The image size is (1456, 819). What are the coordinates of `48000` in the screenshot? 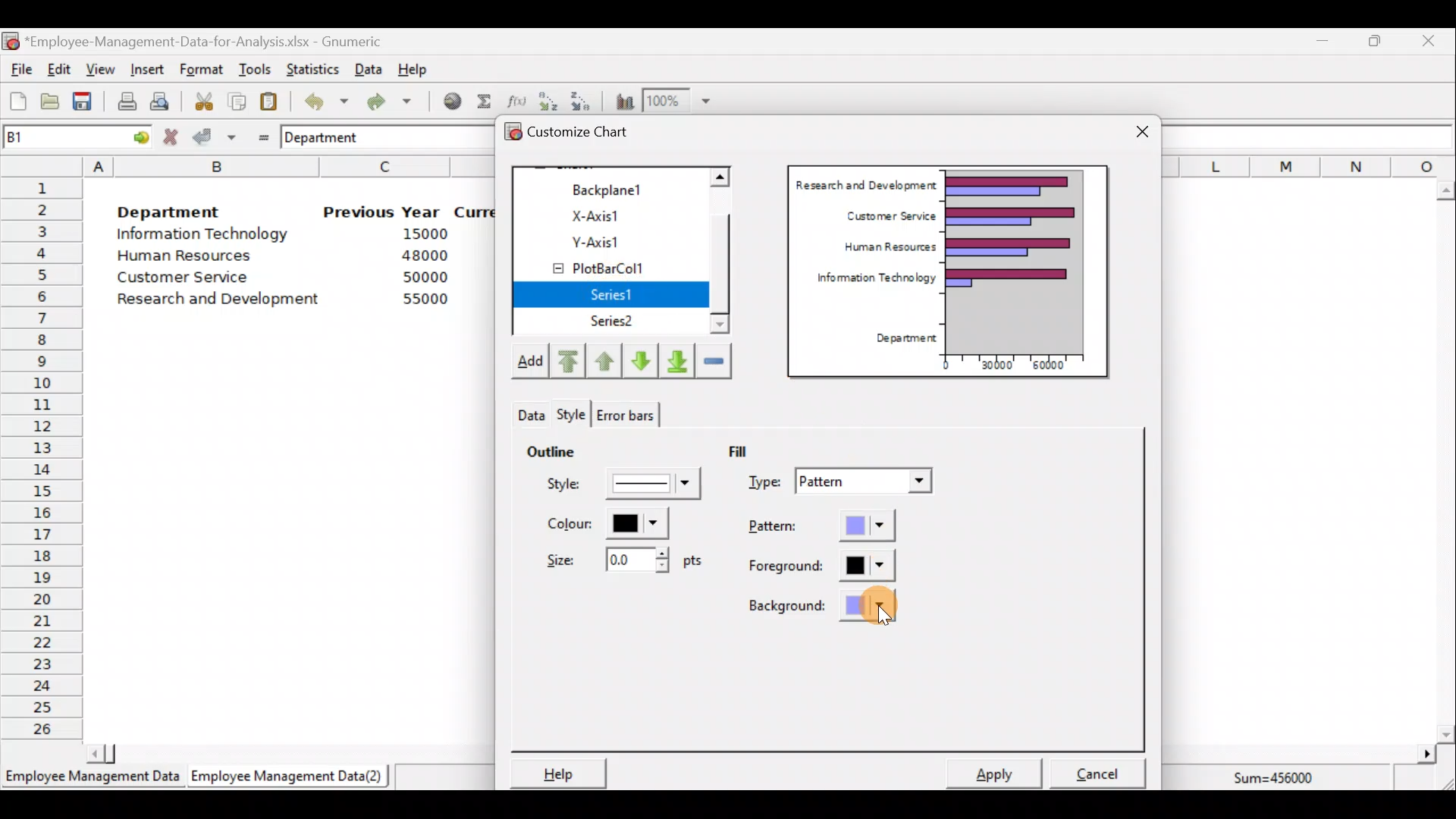 It's located at (424, 256).